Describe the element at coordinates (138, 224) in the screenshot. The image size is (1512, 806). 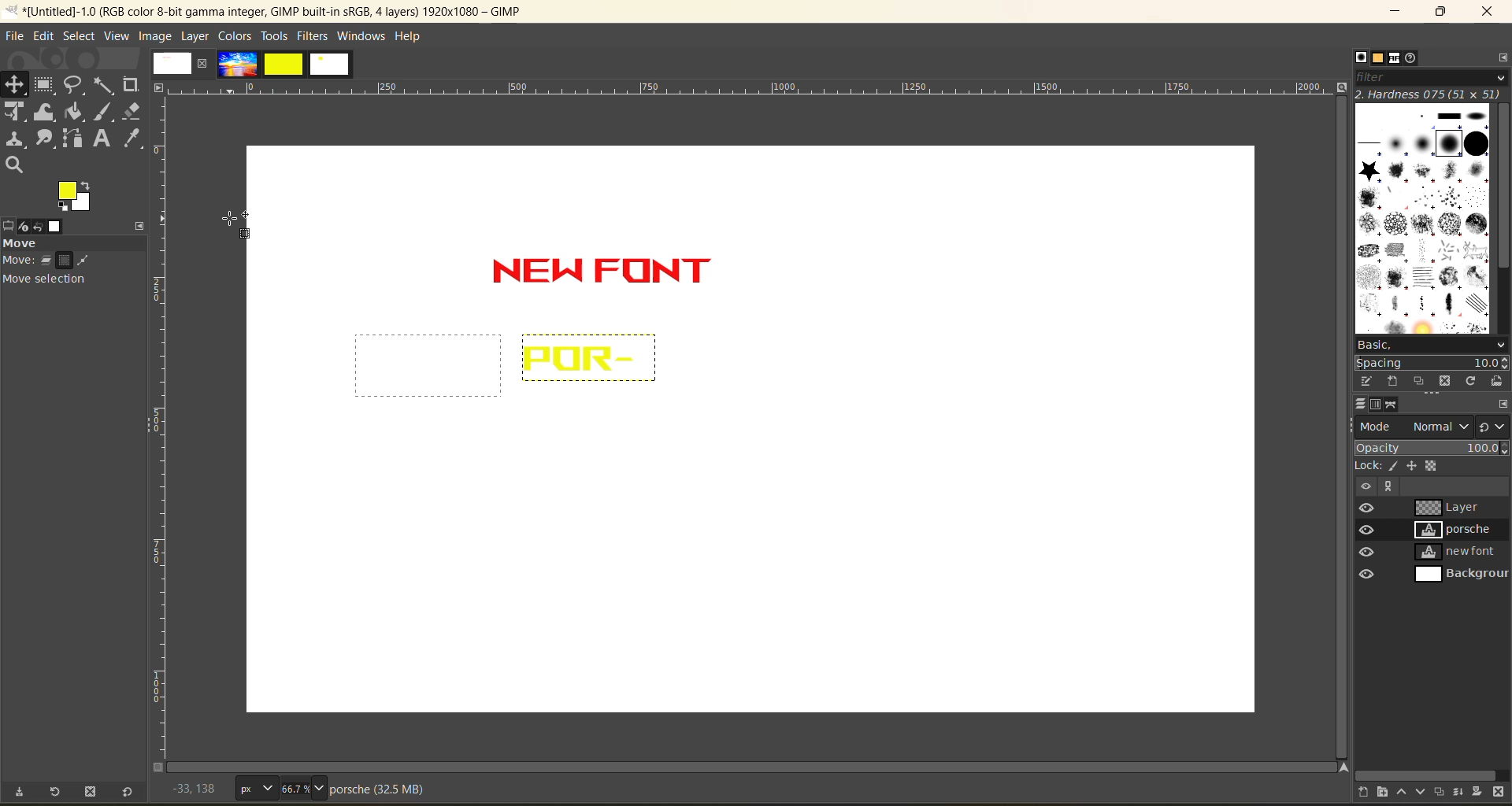
I see `configure` at that location.